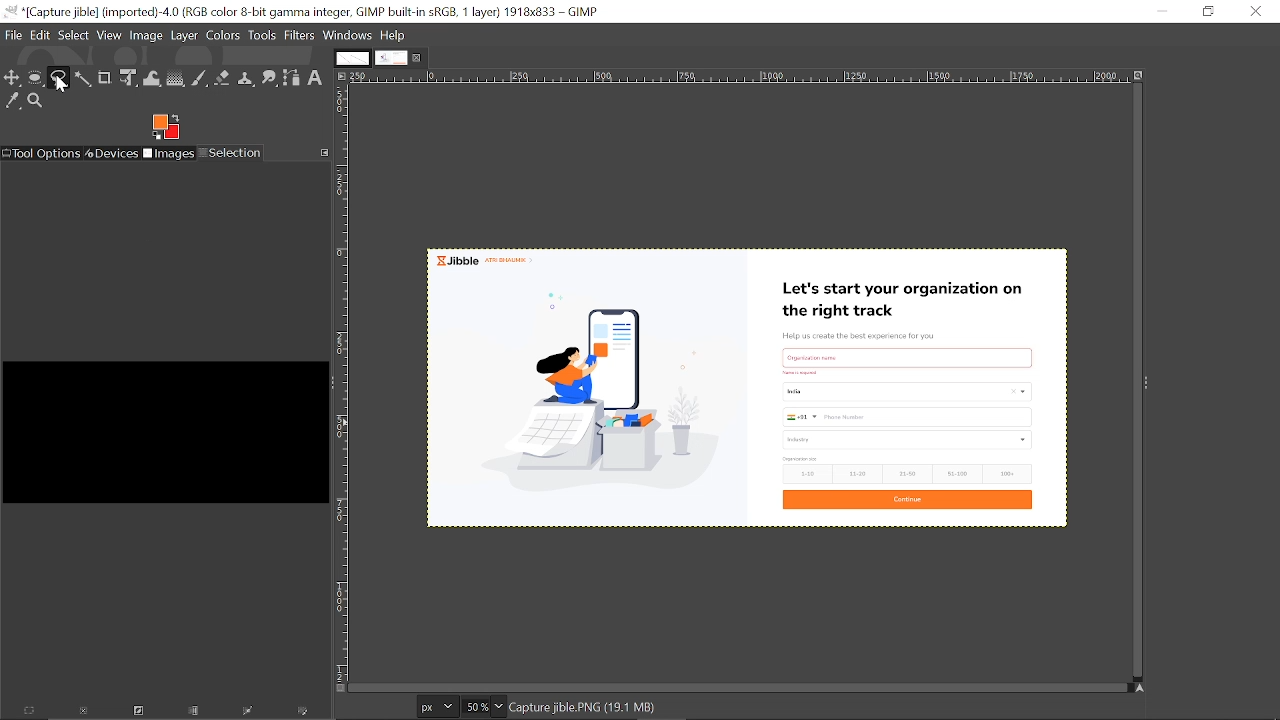 This screenshot has height=720, width=1280. What do you see at coordinates (167, 126) in the screenshot?
I see `Foreground color` at bounding box center [167, 126].